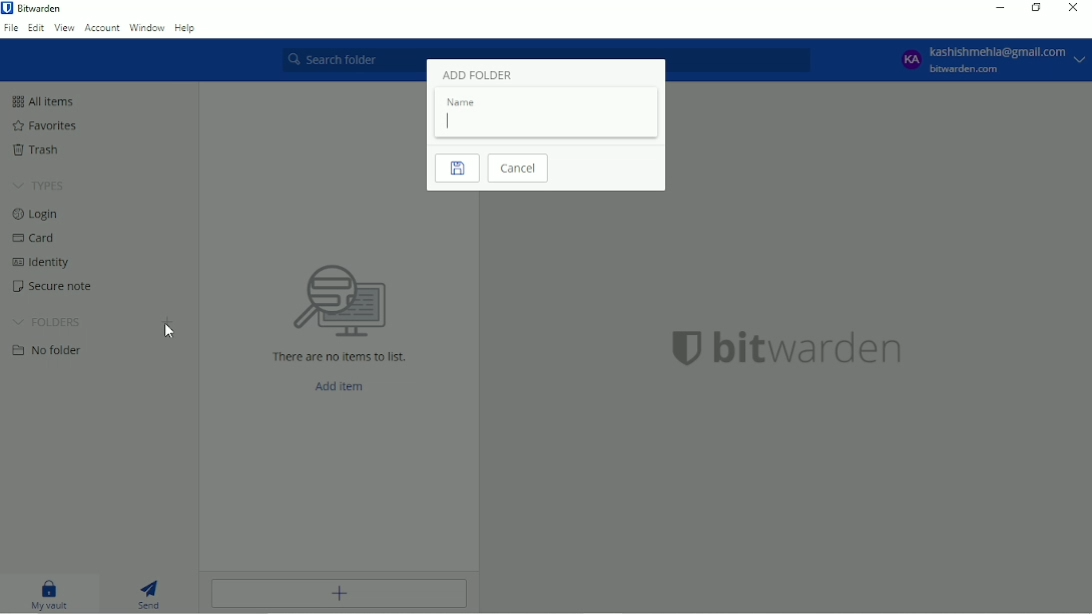 The image size is (1092, 614). What do you see at coordinates (11, 28) in the screenshot?
I see `File` at bounding box center [11, 28].